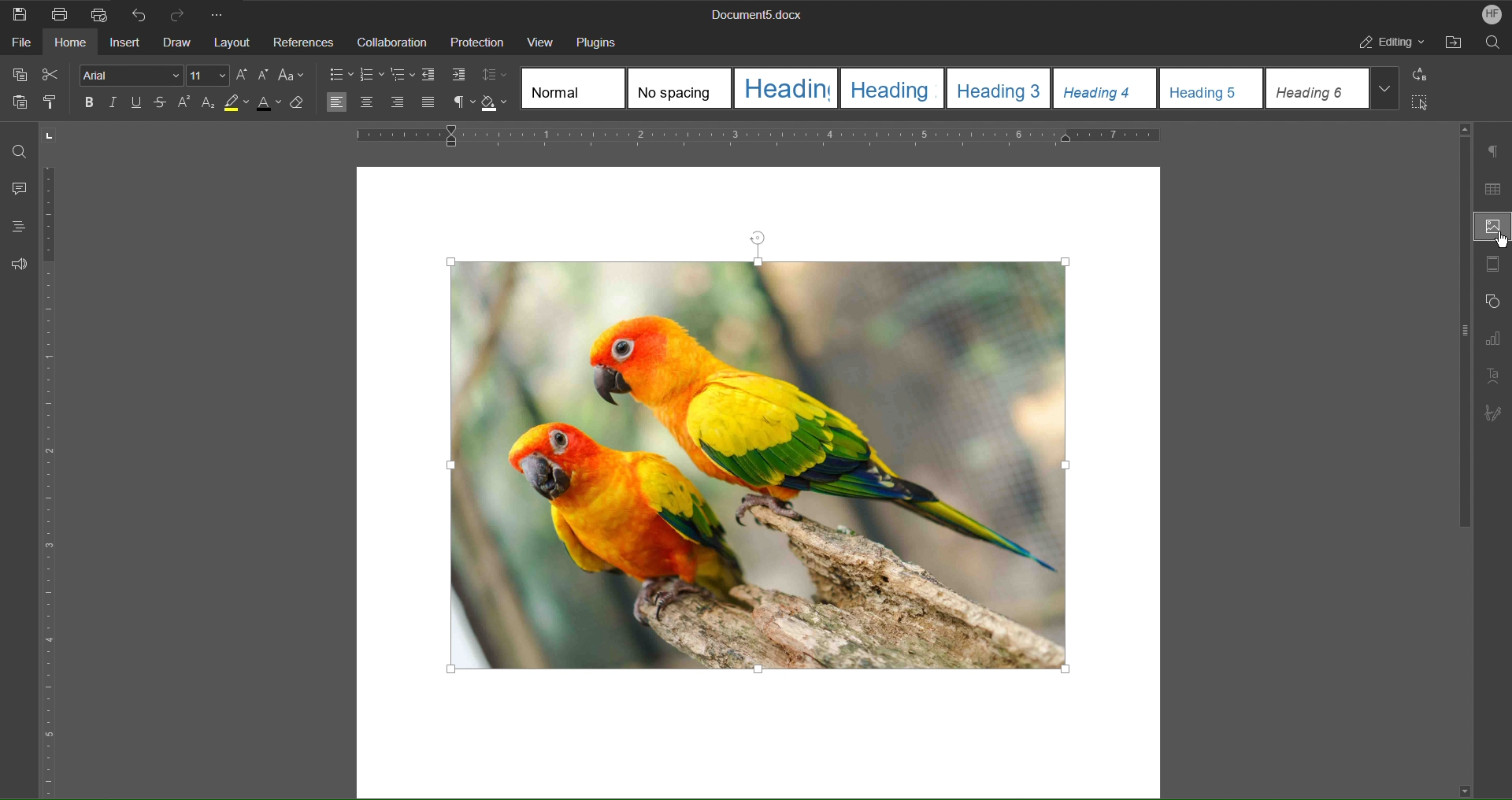 The image size is (1512, 800). Describe the element at coordinates (17, 106) in the screenshot. I see `Paste` at that location.